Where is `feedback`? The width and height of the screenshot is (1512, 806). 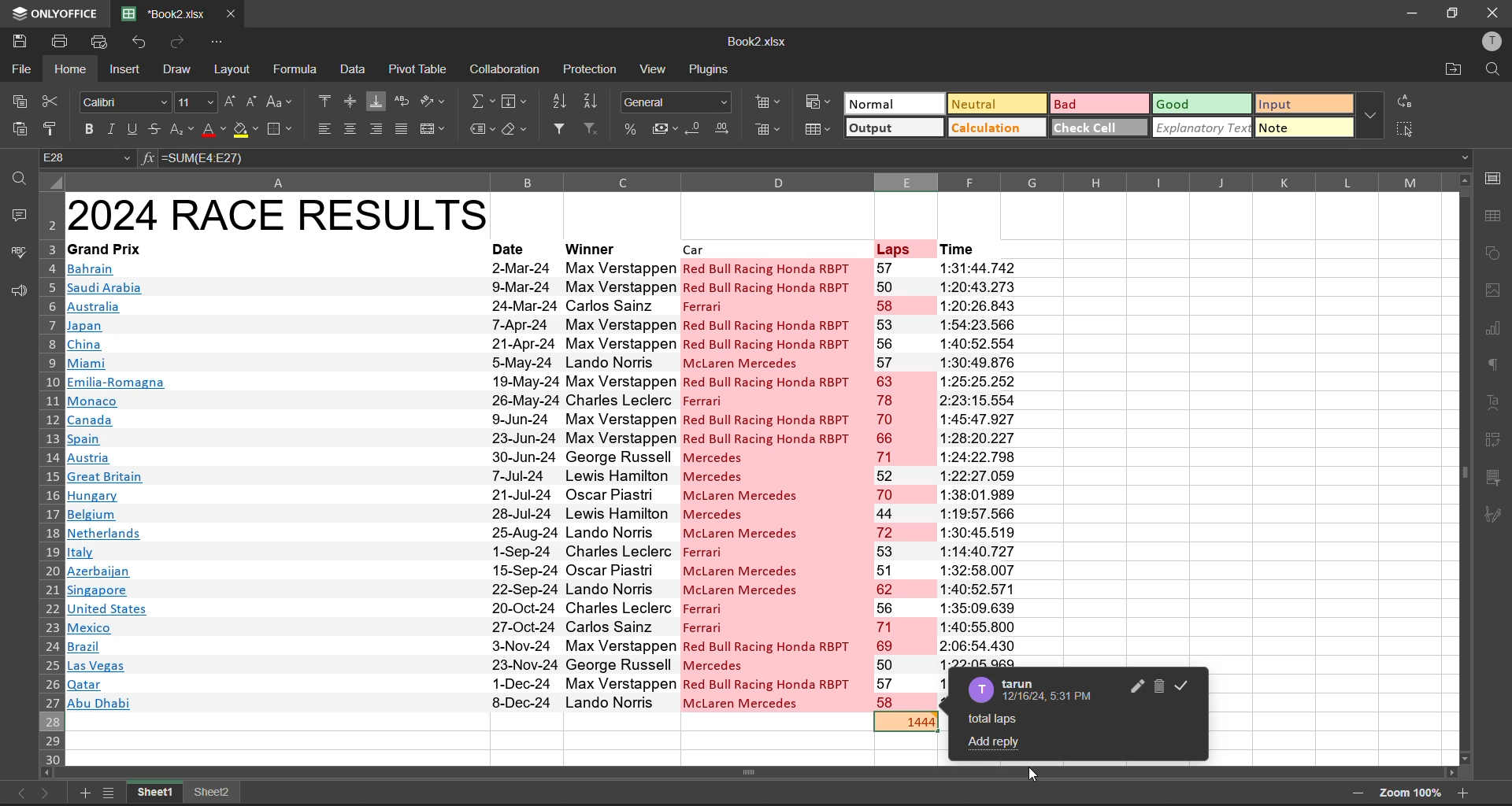 feedback is located at coordinates (16, 290).